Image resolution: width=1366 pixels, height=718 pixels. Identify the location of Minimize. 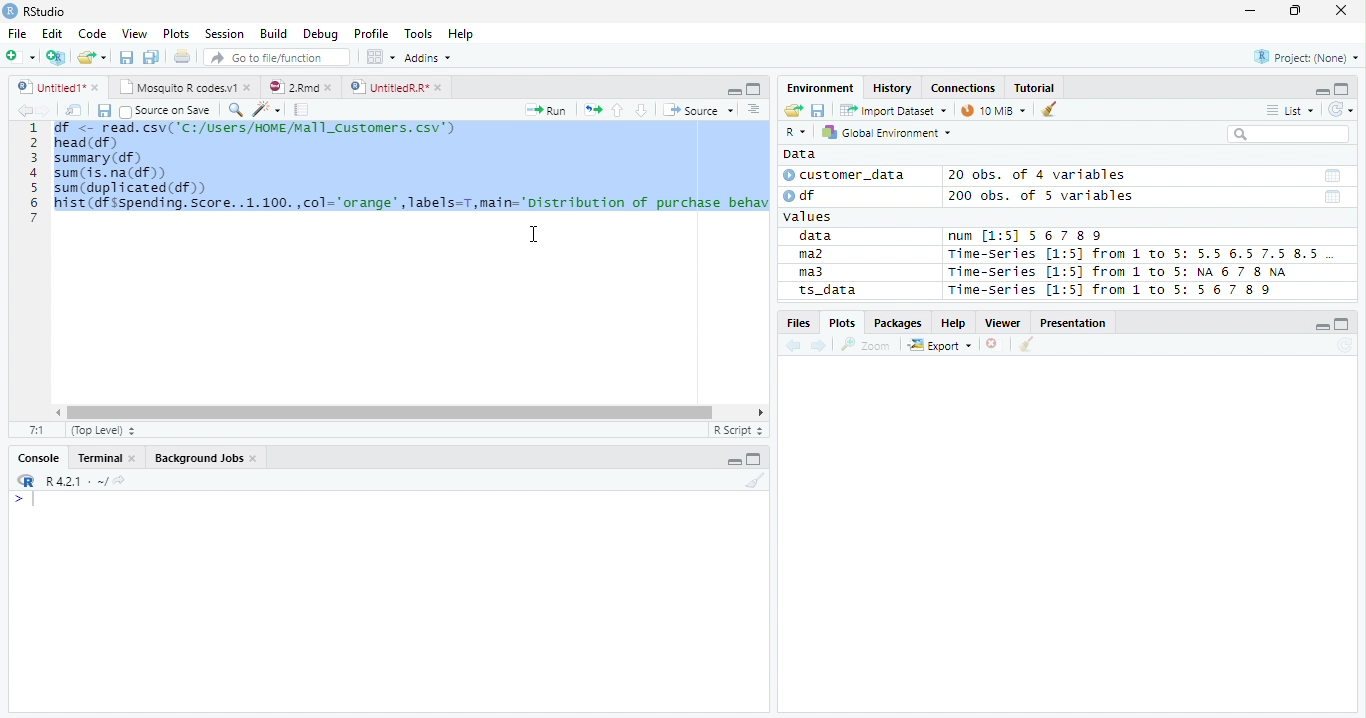
(732, 90).